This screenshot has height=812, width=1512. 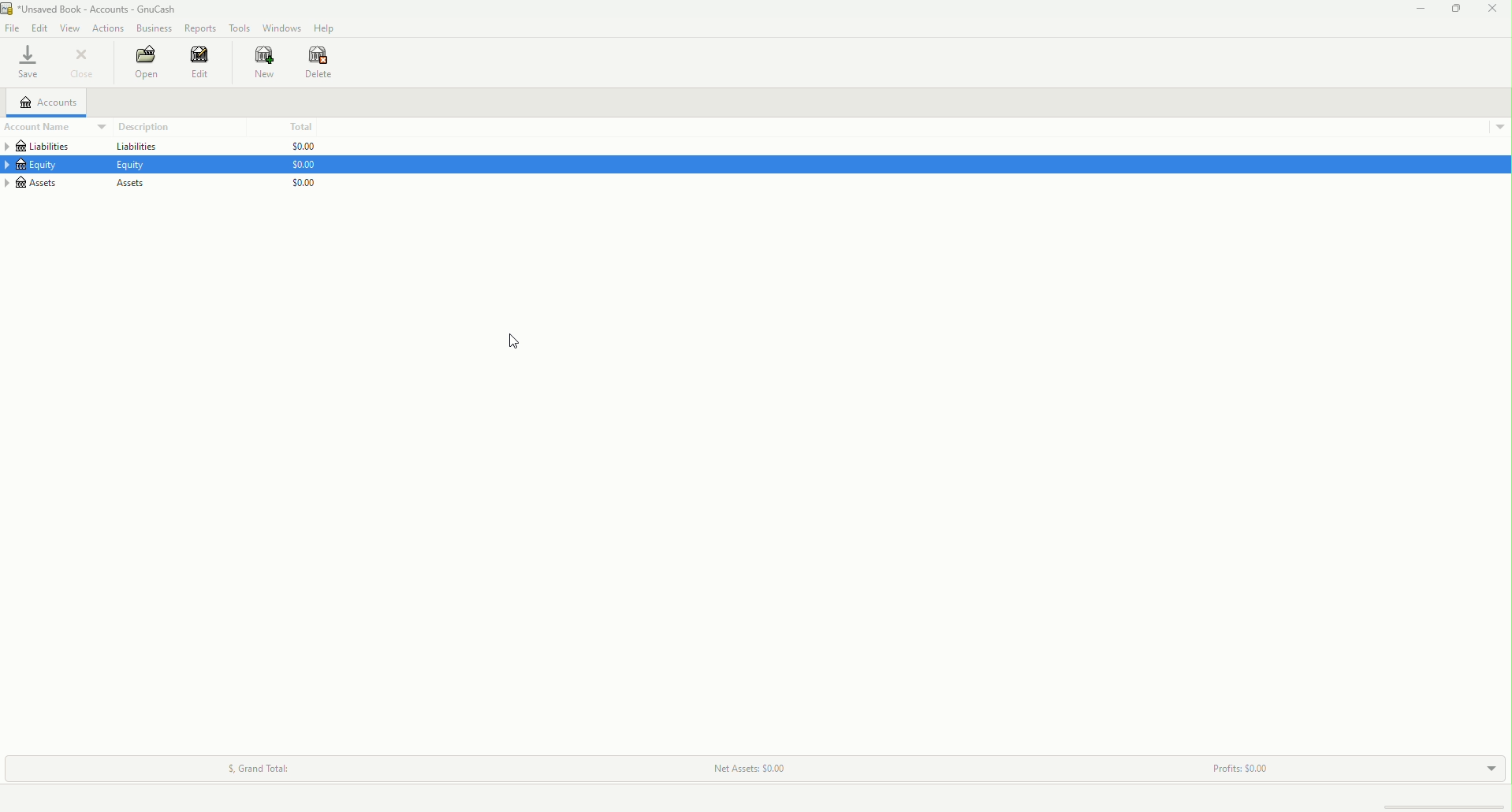 I want to click on Cursor, so click(x=518, y=345).